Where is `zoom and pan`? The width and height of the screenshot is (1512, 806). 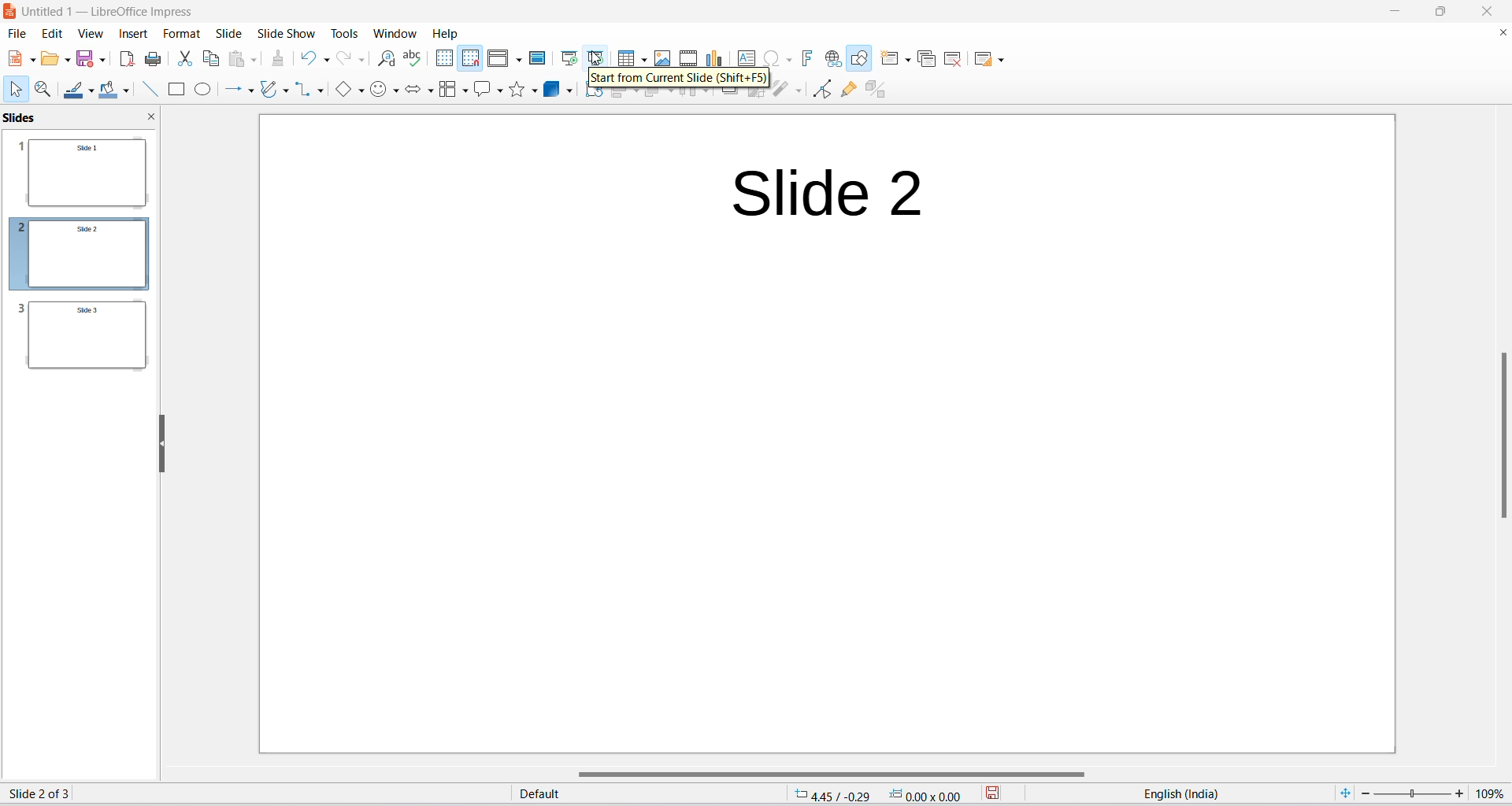
zoom and pan is located at coordinates (44, 90).